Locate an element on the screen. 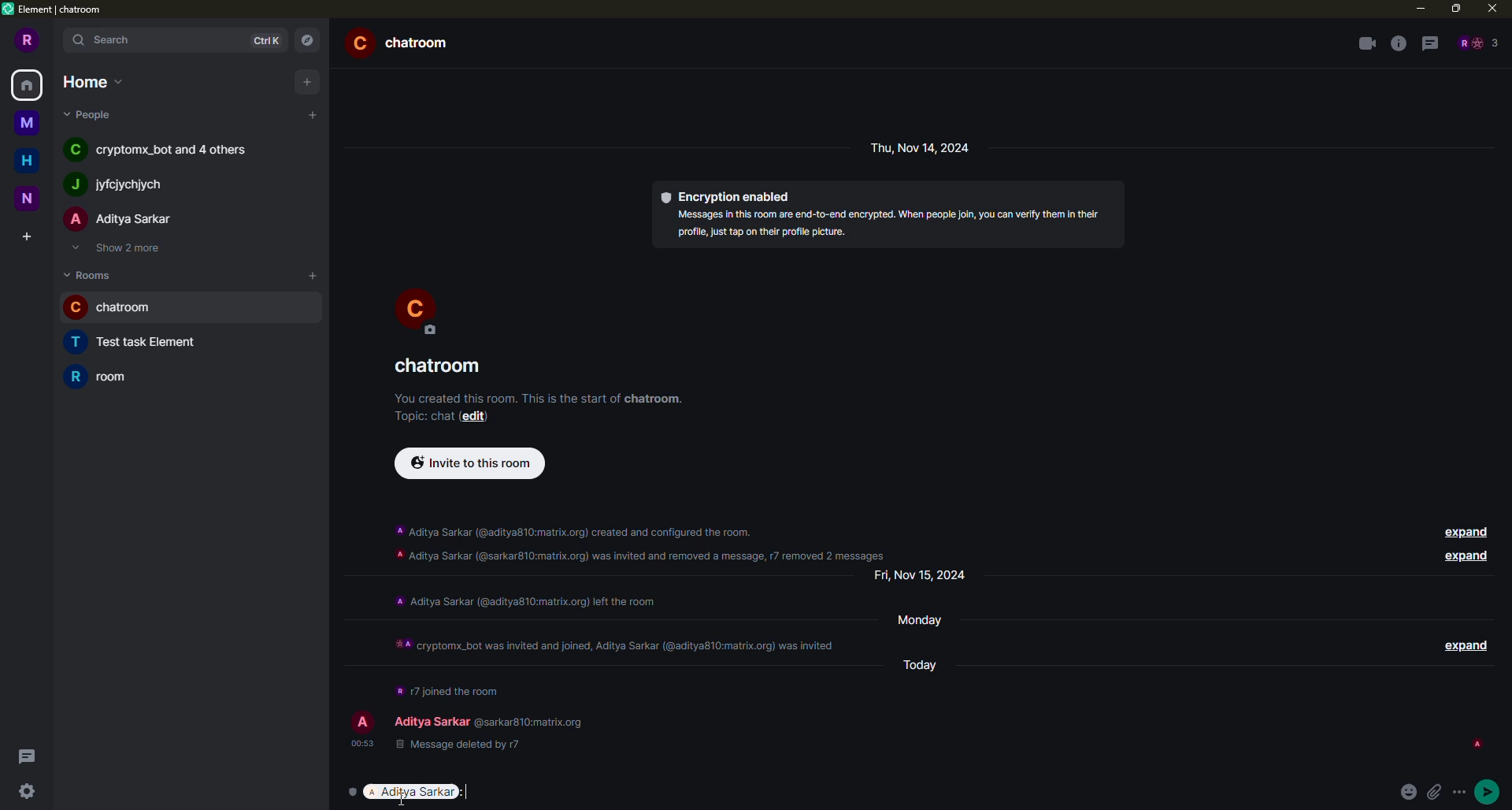 The height and width of the screenshot is (810, 1512). people is located at coordinates (116, 185).